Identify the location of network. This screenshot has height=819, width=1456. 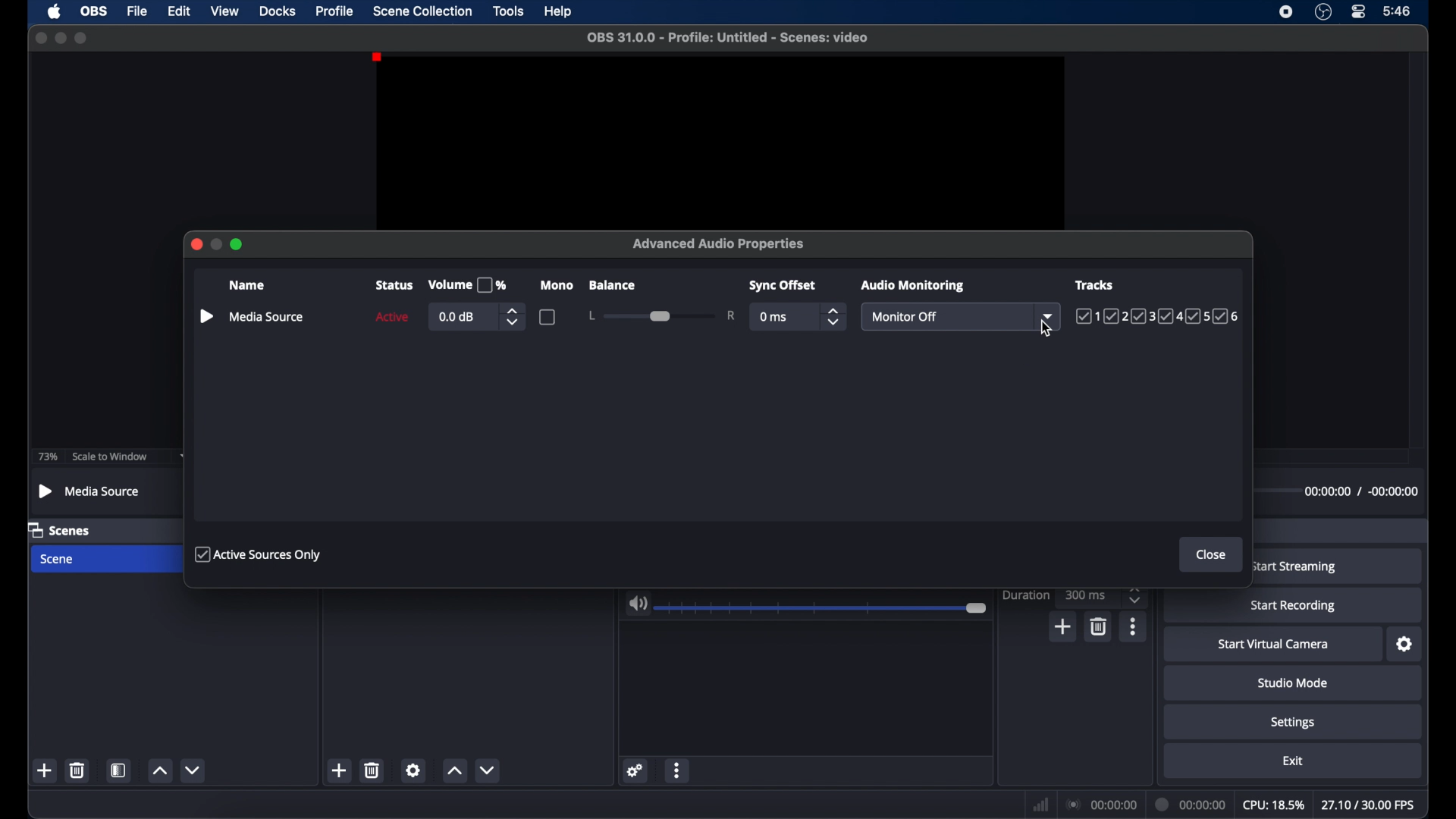
(1040, 805).